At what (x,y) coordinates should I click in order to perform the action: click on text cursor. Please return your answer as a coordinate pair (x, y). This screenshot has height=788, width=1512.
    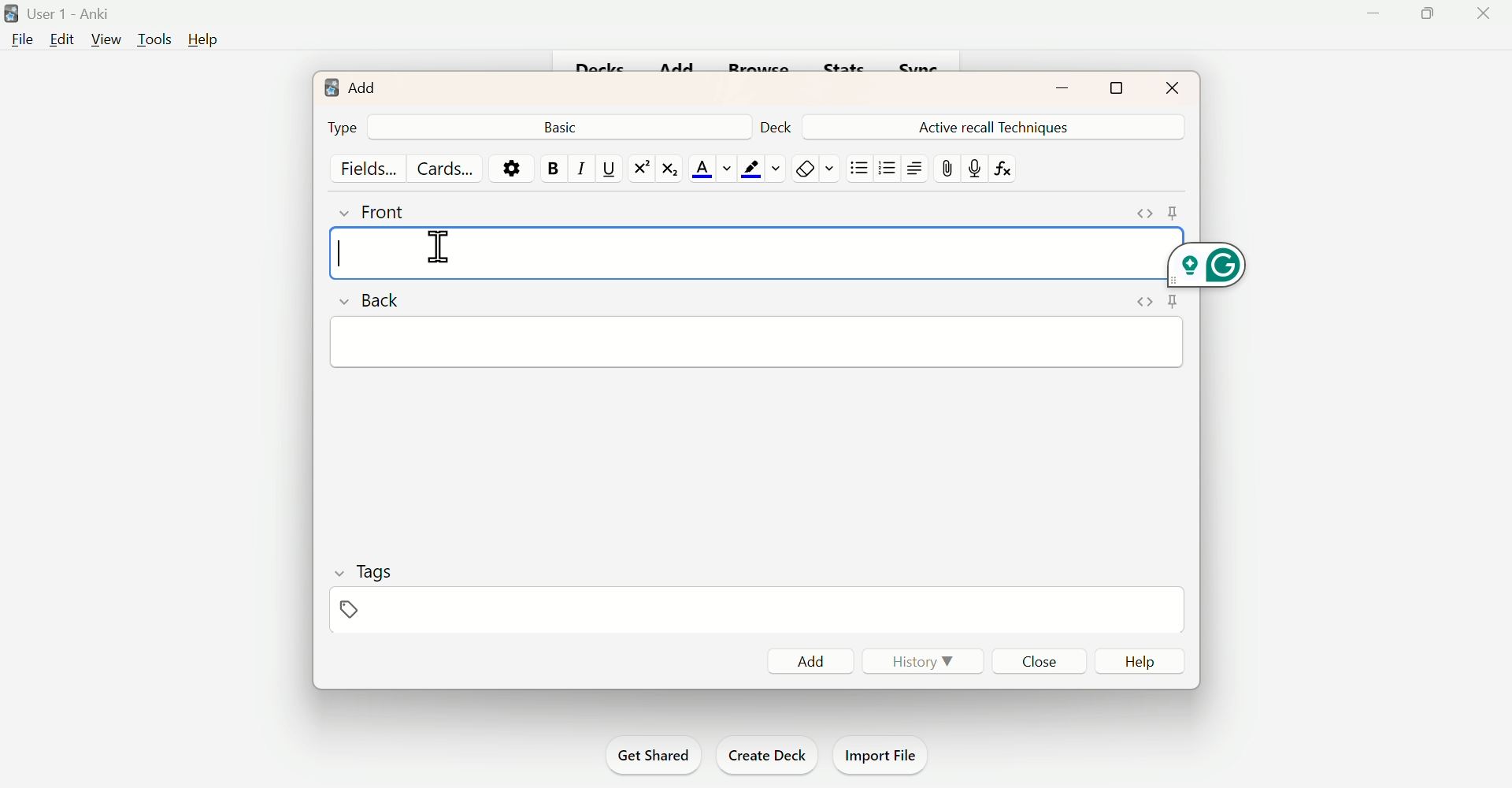
    Looking at the image, I should click on (342, 253).